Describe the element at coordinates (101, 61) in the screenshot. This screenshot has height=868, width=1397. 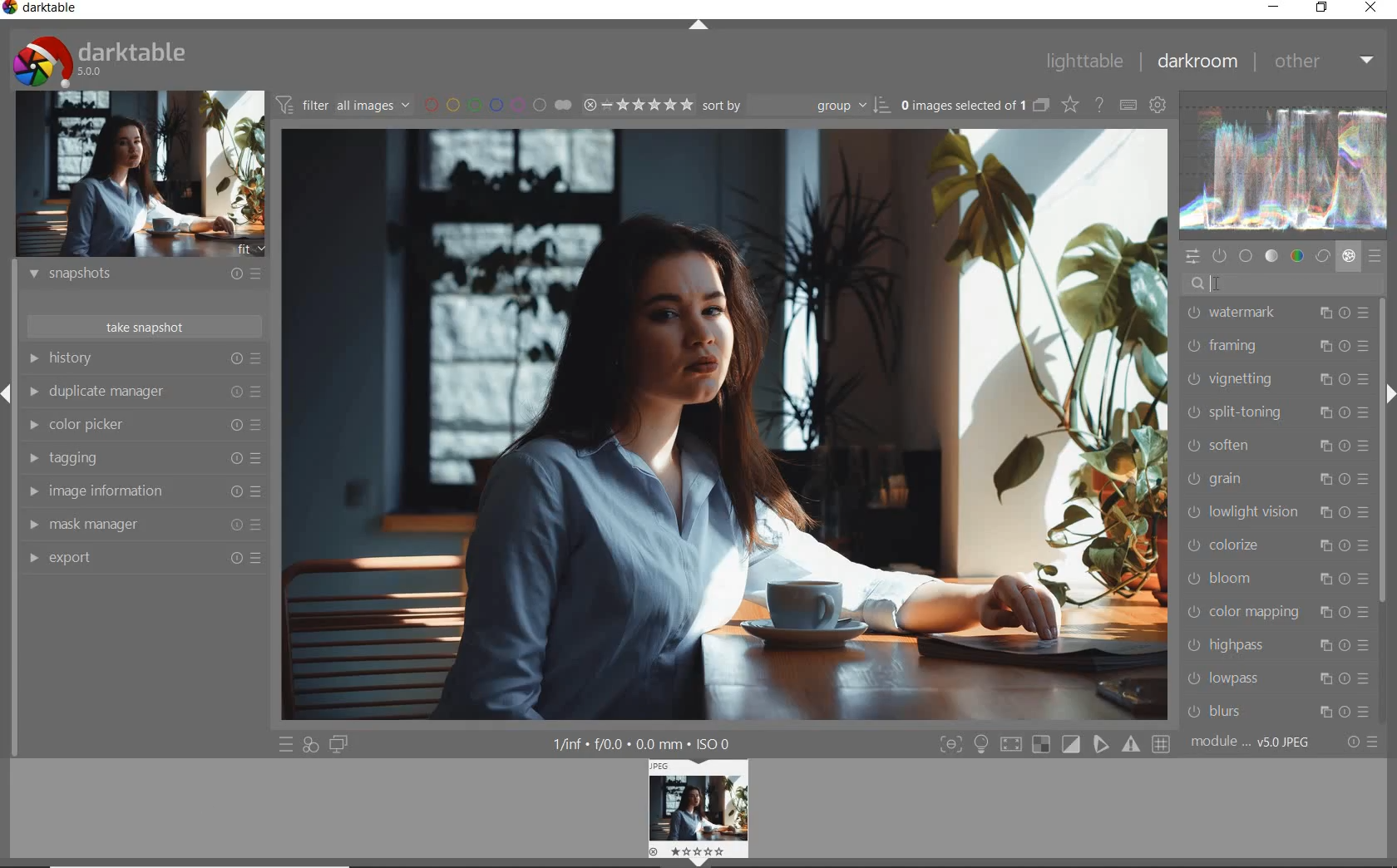
I see `system logo` at that location.